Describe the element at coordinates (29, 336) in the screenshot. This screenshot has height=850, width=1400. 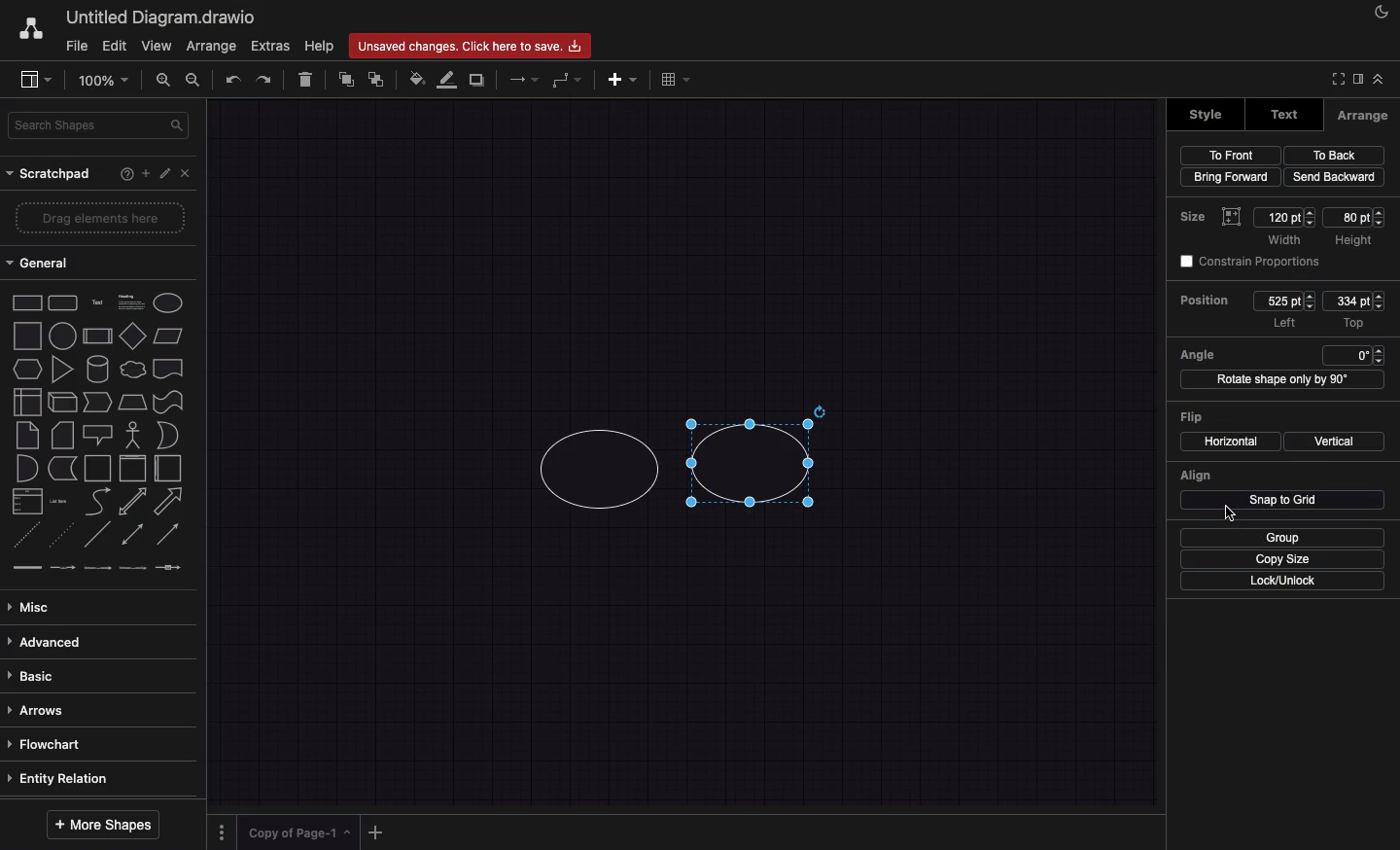
I see `square` at that location.